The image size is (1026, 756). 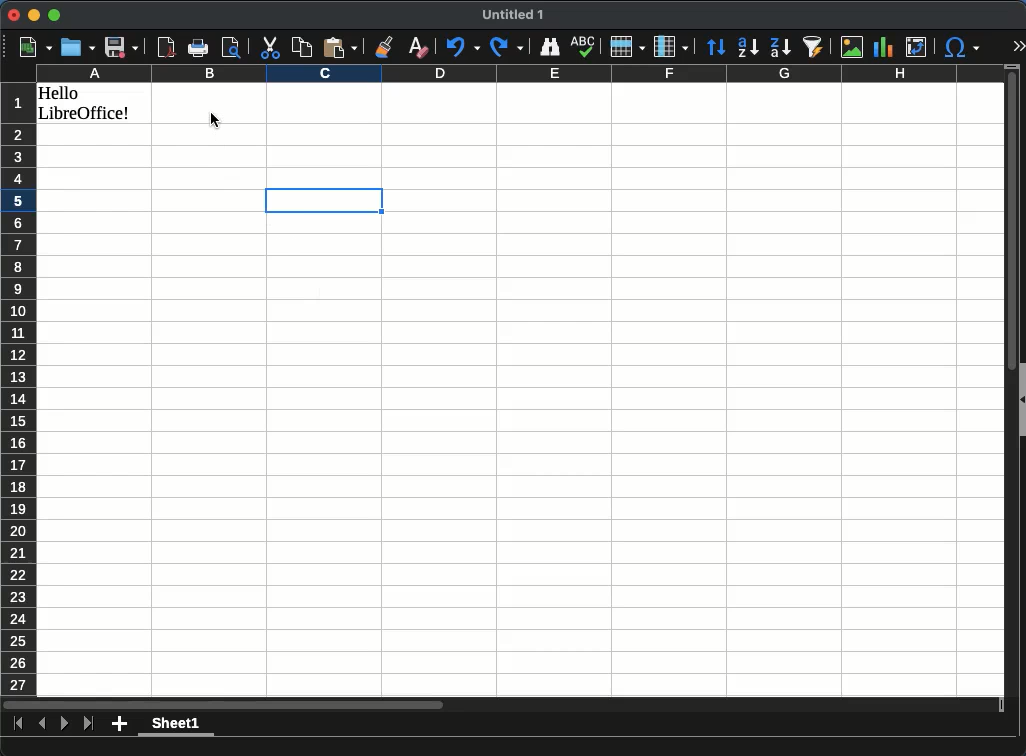 What do you see at coordinates (233, 48) in the screenshot?
I see `page preview` at bounding box center [233, 48].